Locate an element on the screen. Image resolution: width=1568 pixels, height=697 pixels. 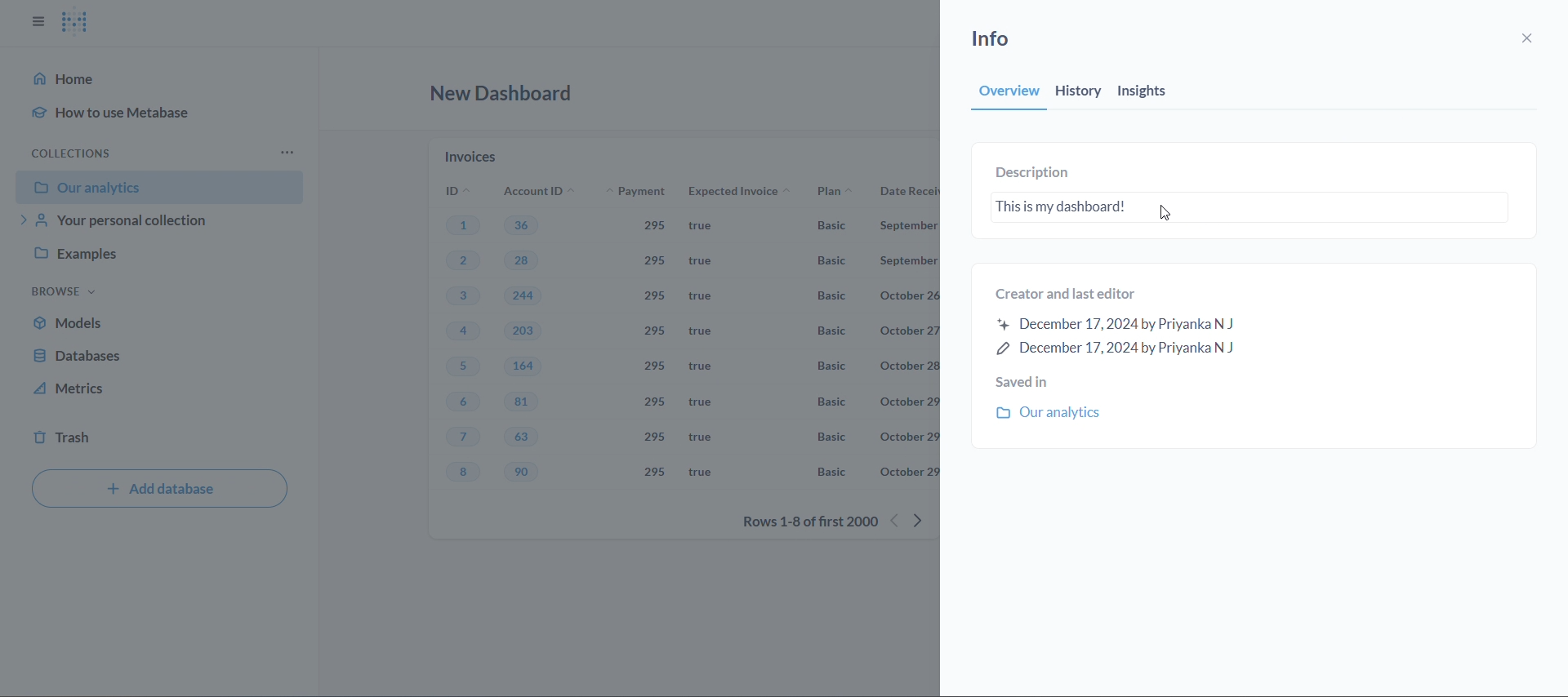
true is located at coordinates (700, 402).